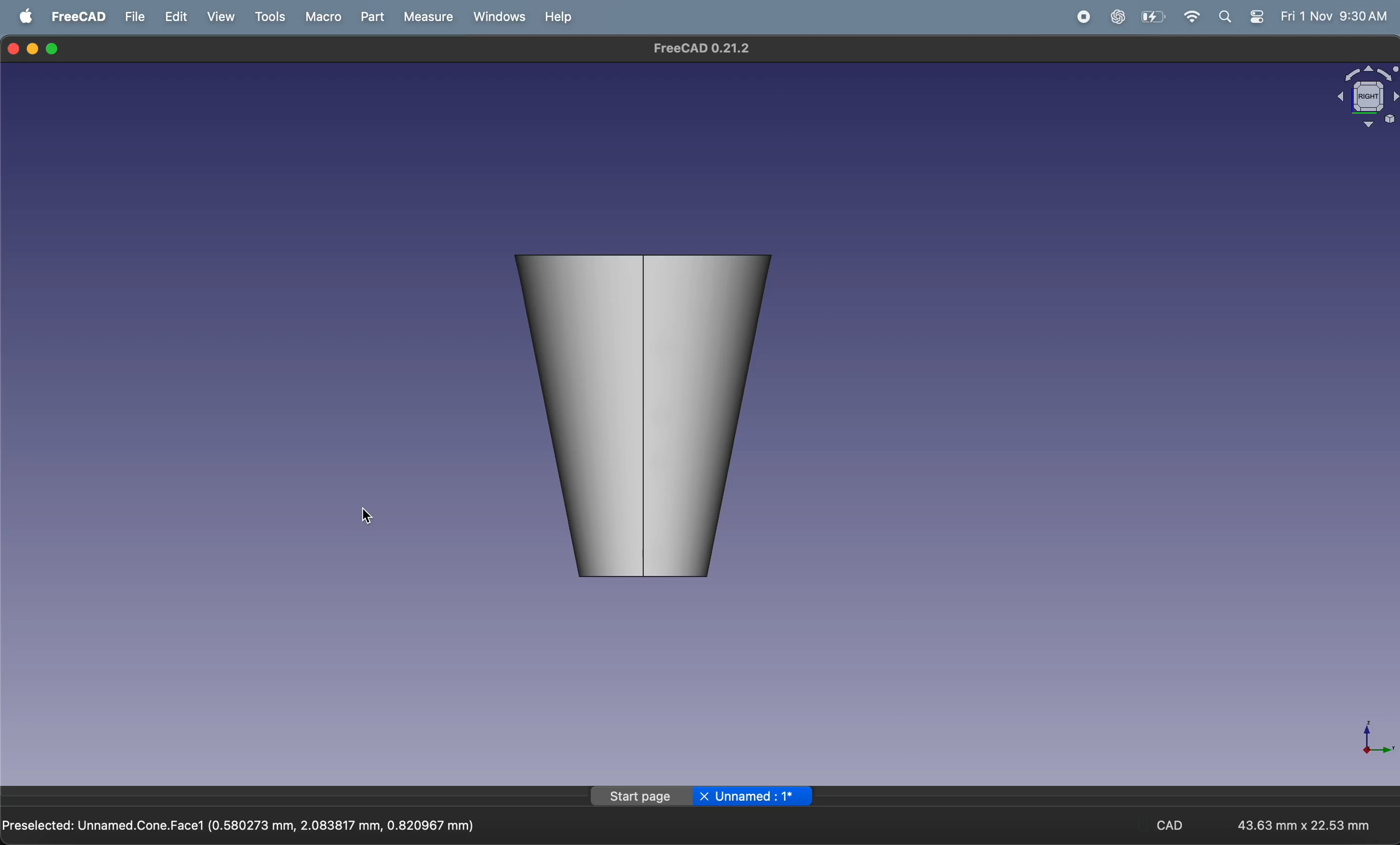 The width and height of the screenshot is (1400, 845). I want to click on FreeCAD 0.21.2, so click(698, 48).